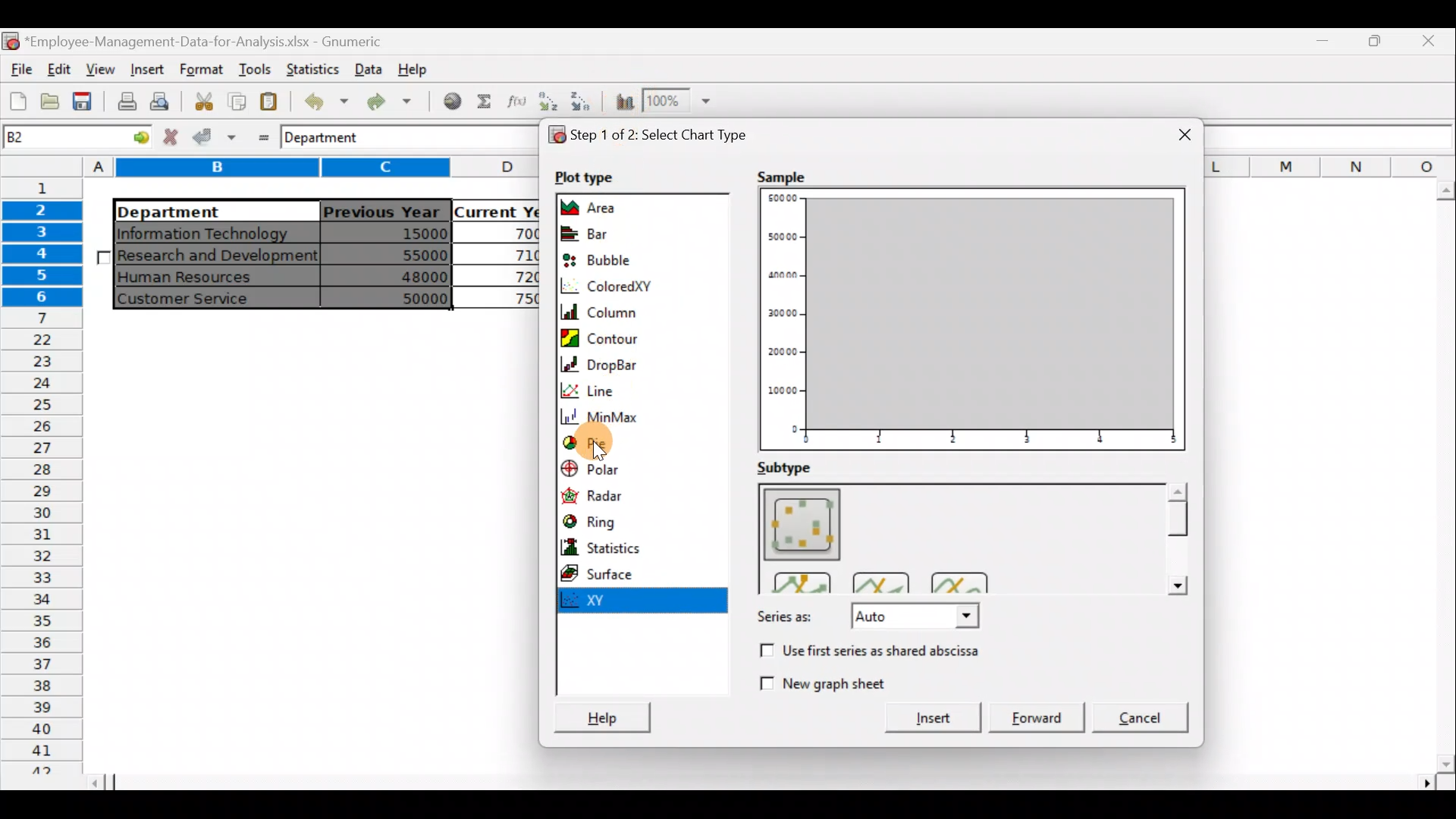 The width and height of the screenshot is (1456, 819). I want to click on Create a new workbook, so click(18, 101).